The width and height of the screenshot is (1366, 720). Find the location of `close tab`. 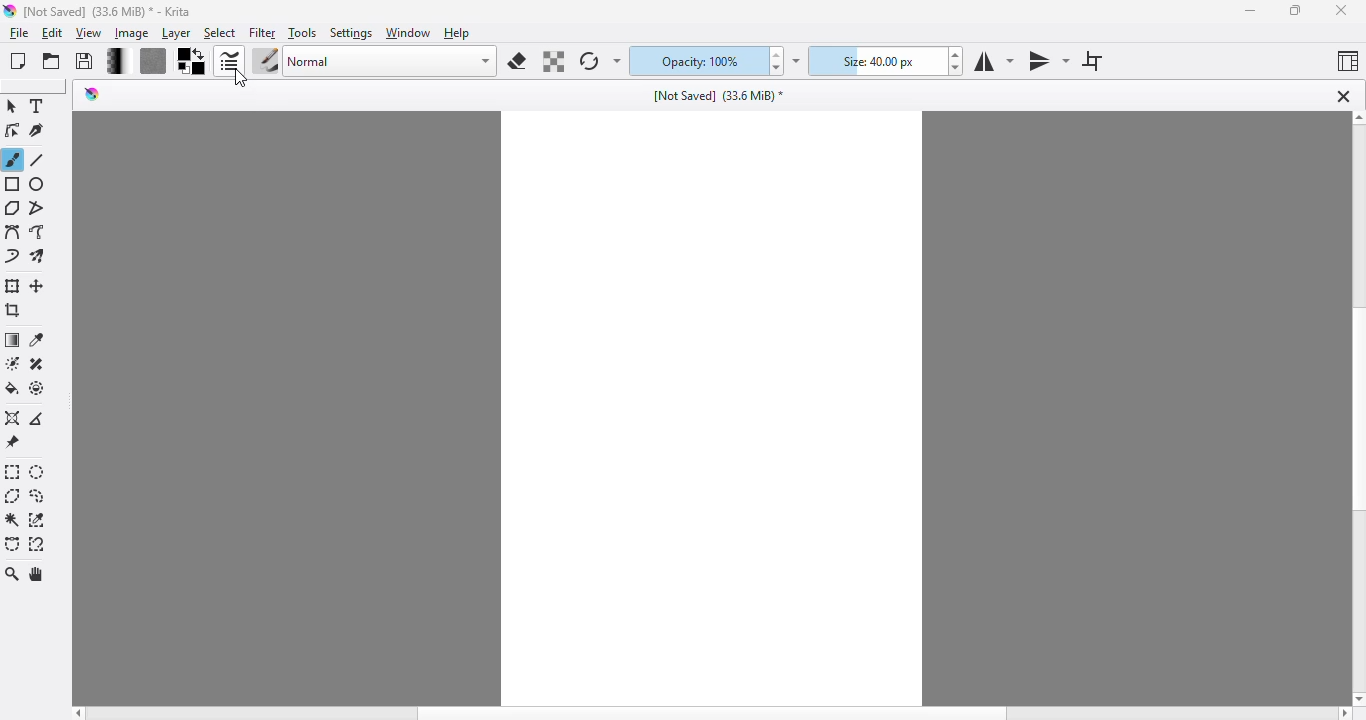

close tab is located at coordinates (1343, 96).